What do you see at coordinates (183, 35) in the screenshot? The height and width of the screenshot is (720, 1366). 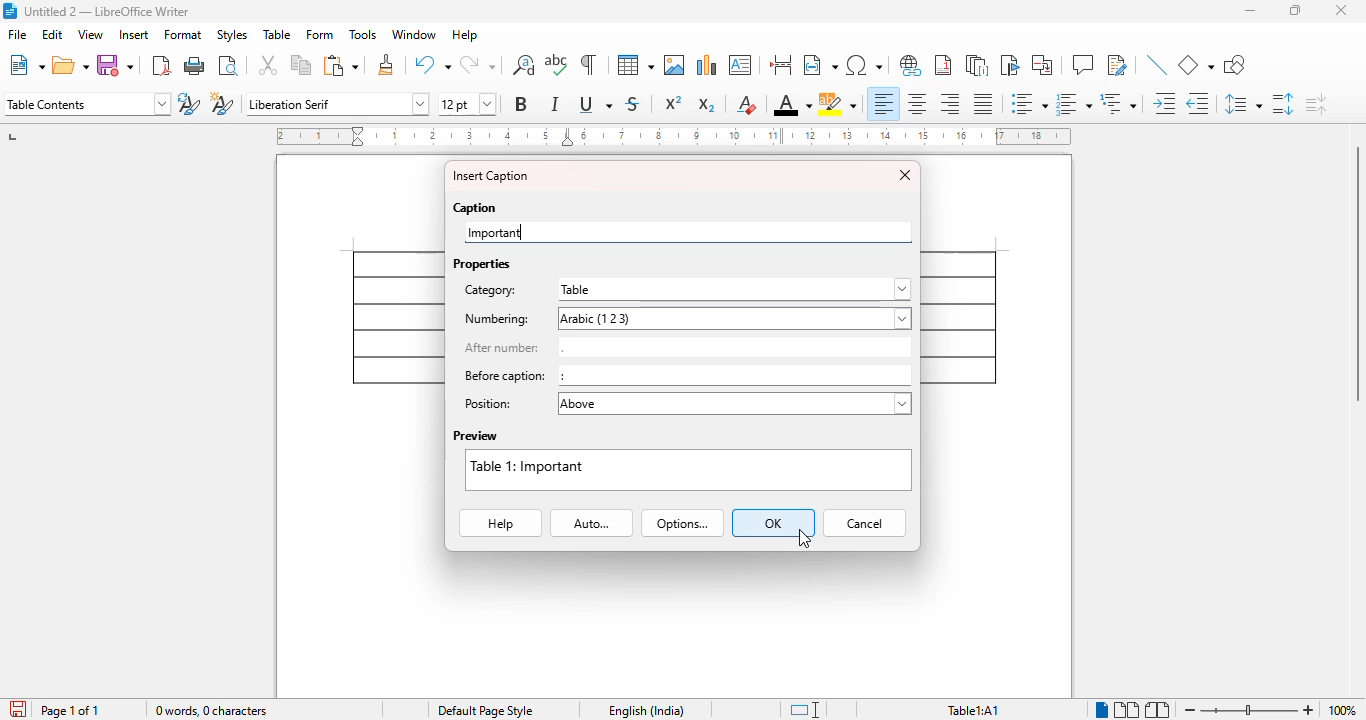 I see `format` at bounding box center [183, 35].